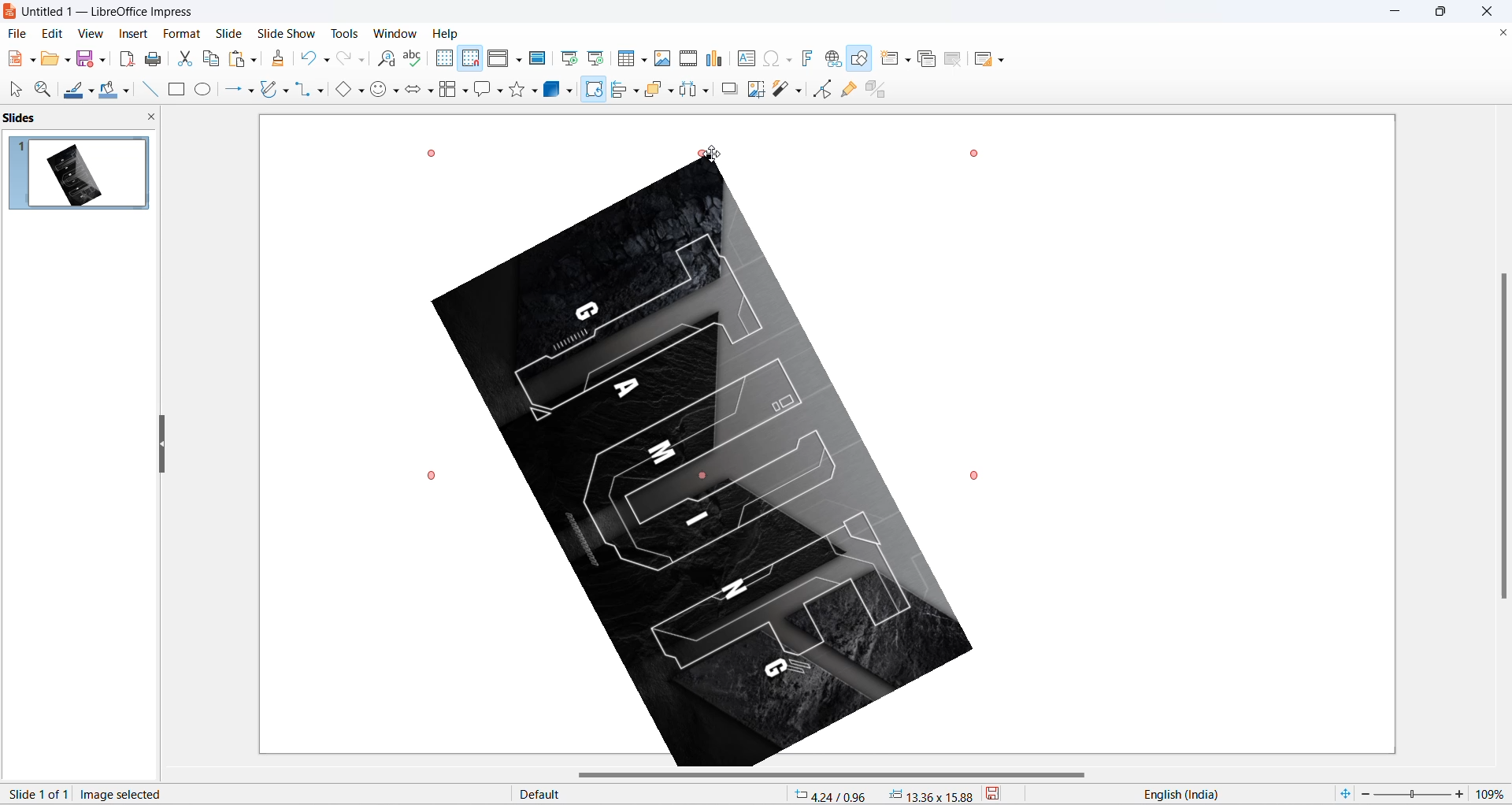 Image resolution: width=1512 pixels, height=805 pixels. I want to click on 3d object, so click(561, 90).